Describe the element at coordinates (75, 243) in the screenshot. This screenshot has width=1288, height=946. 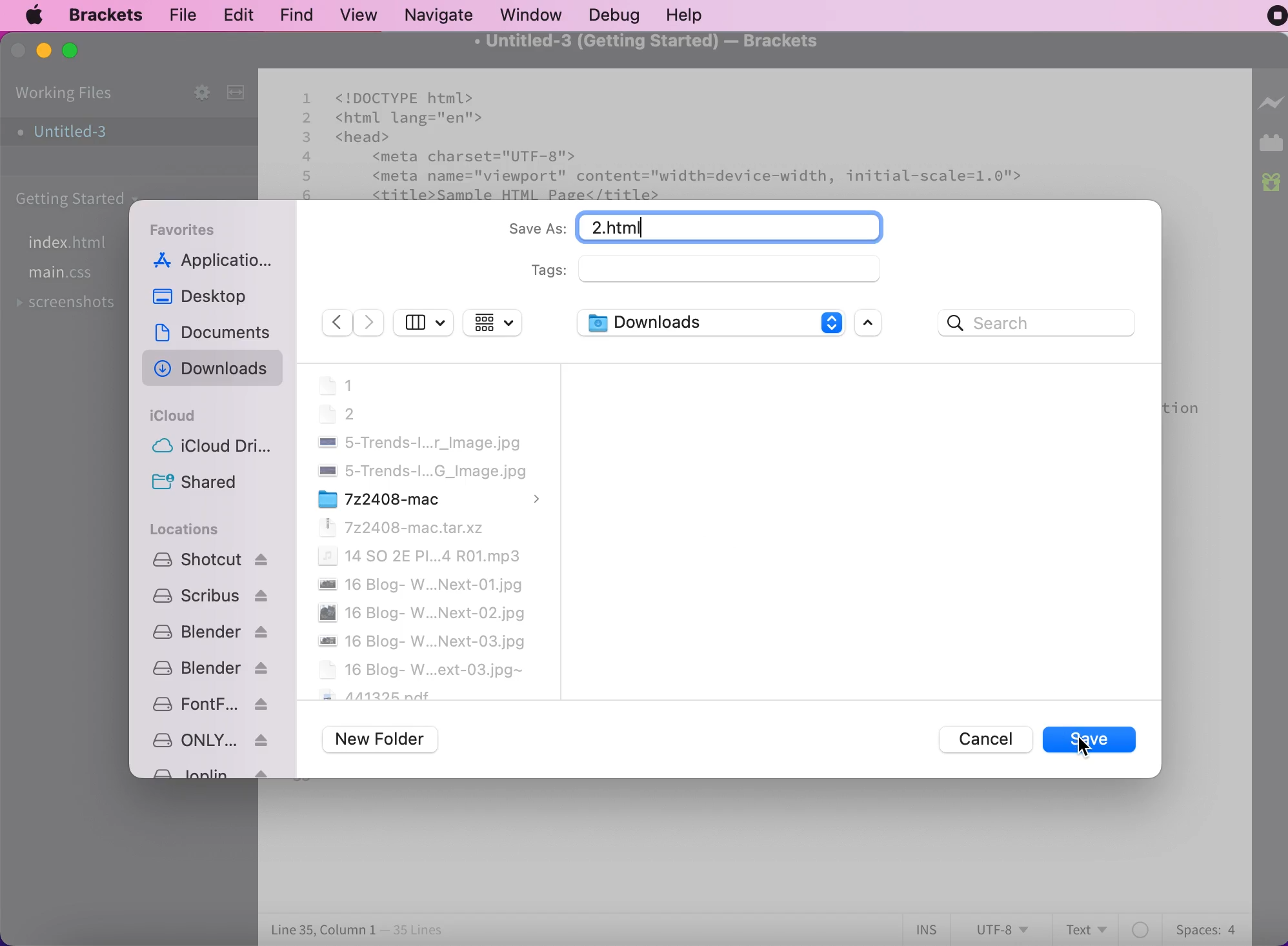
I see `file index.html` at that location.